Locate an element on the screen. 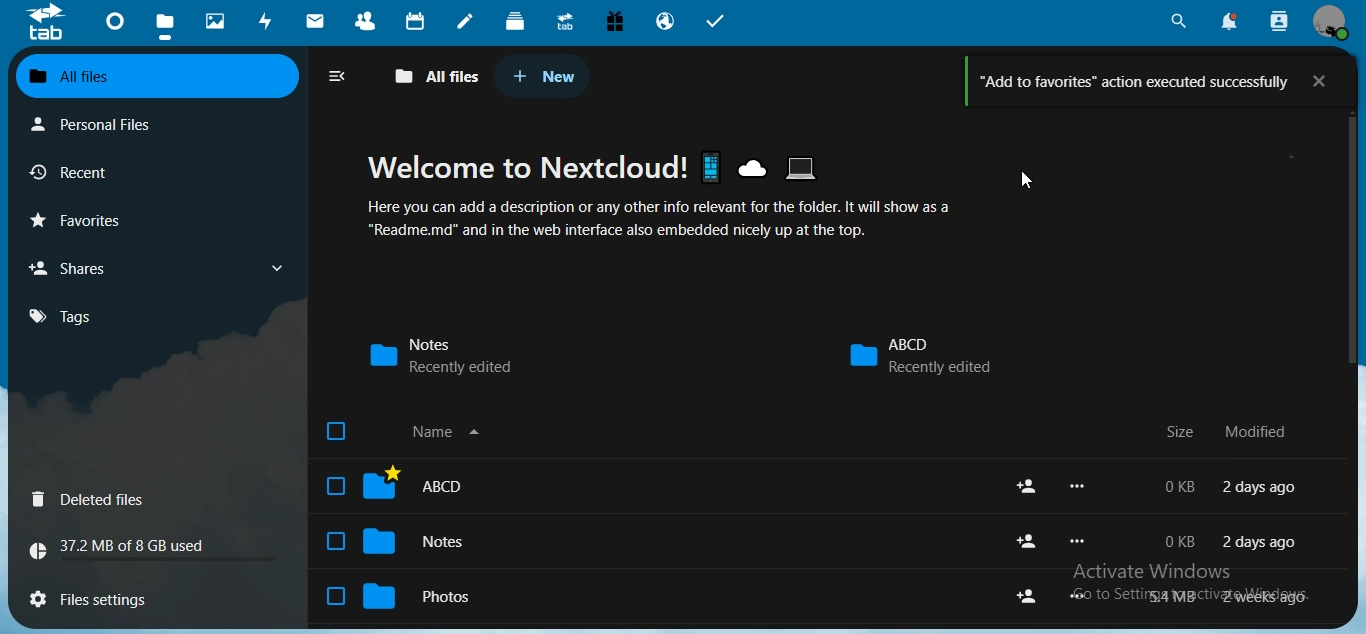  text is located at coordinates (1154, 80).